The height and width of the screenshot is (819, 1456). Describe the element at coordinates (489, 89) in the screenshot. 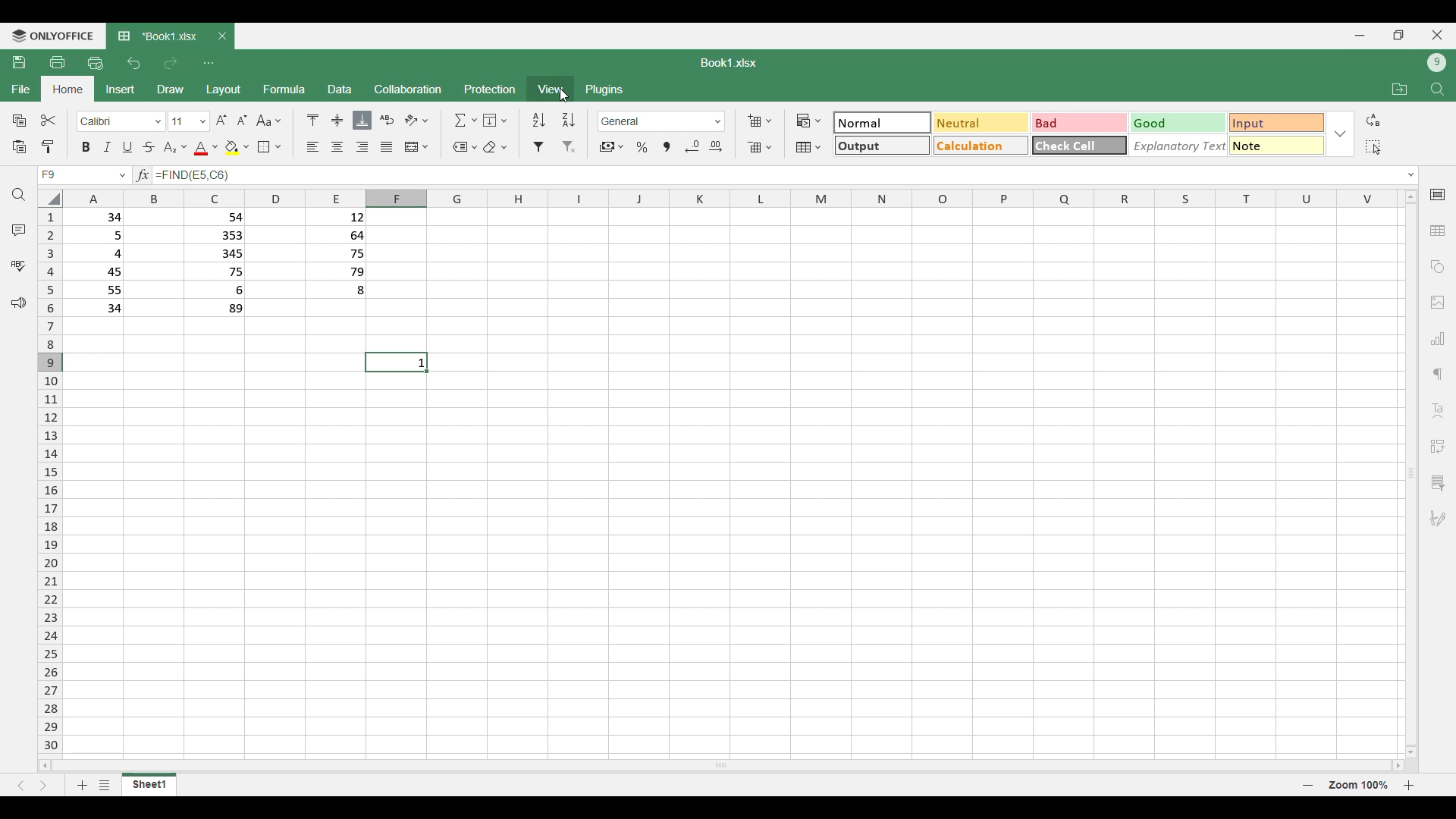

I see `Protection menu` at that location.